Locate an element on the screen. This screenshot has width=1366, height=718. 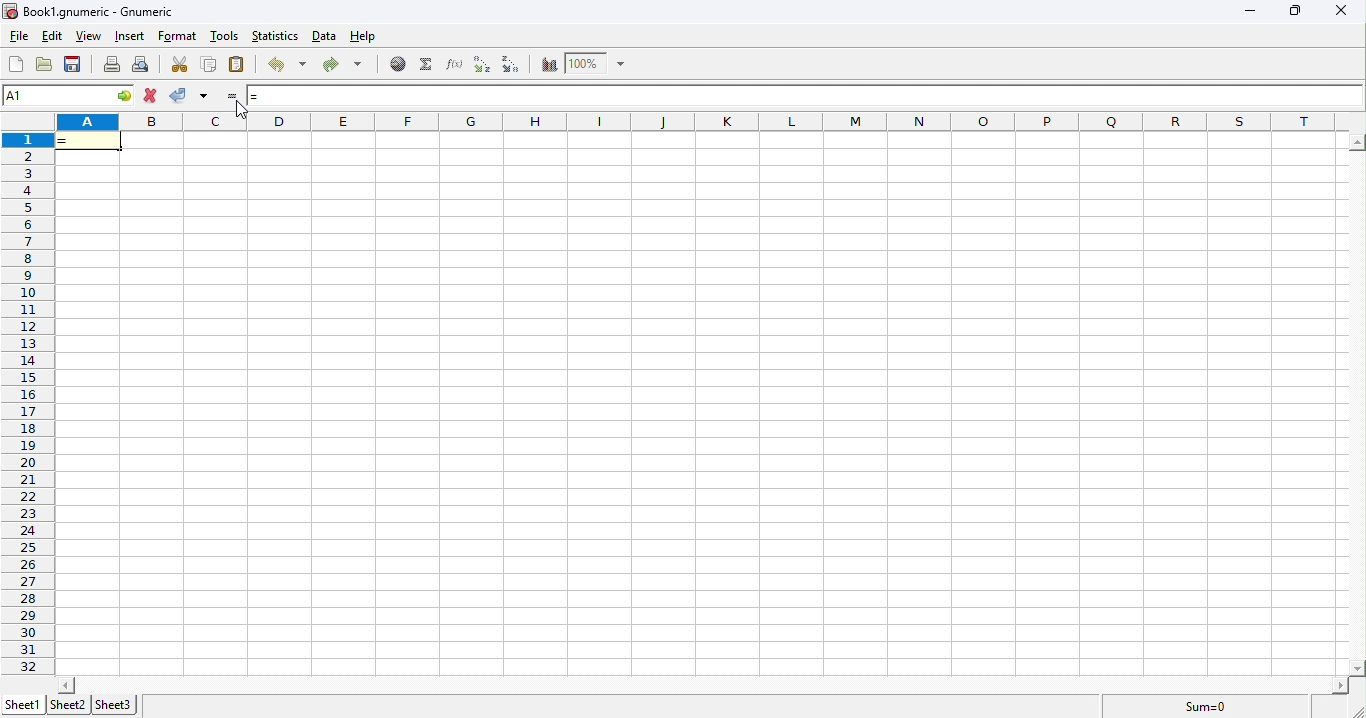
formula bar is located at coordinates (824, 96).